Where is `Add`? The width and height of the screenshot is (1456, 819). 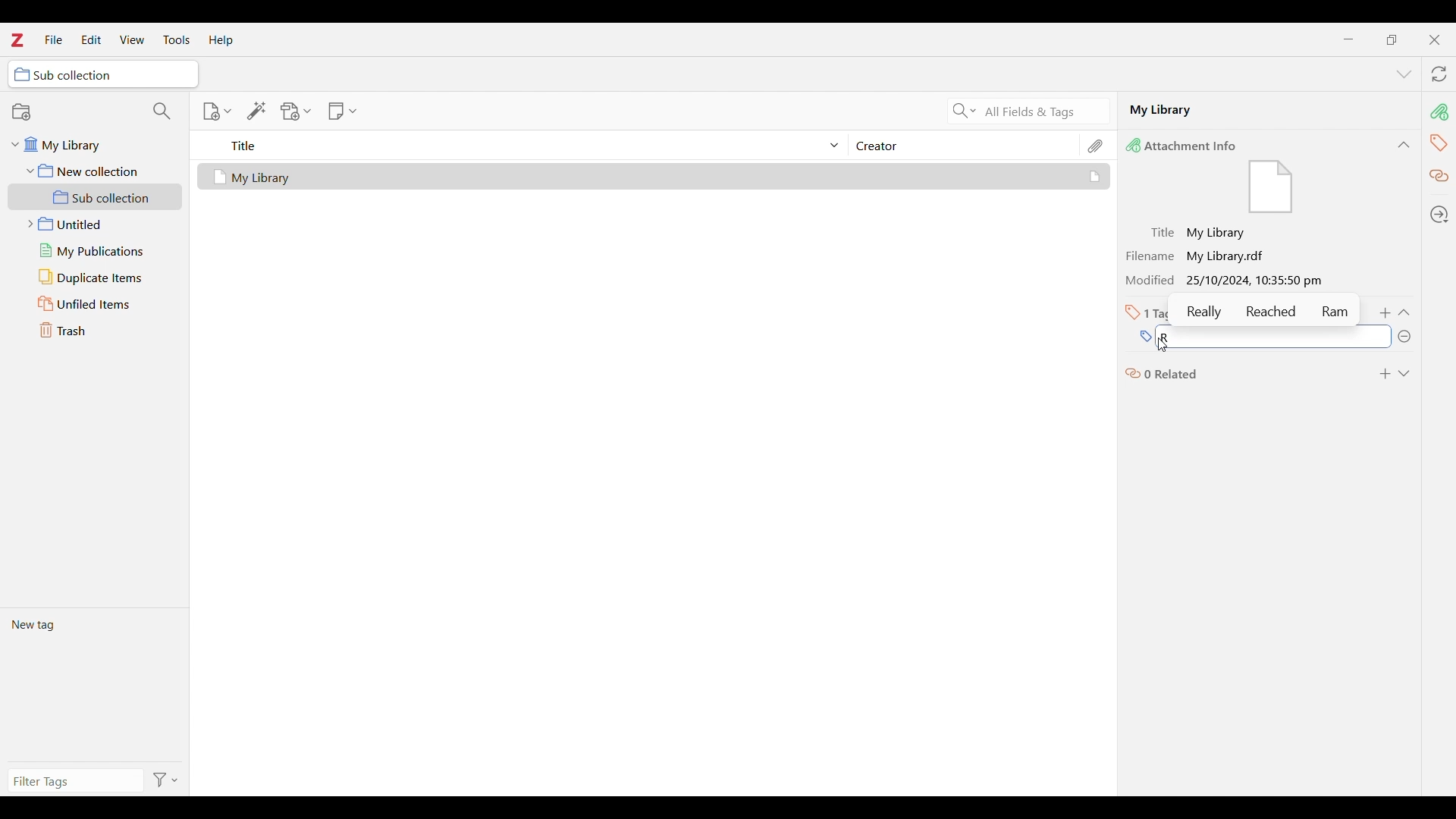
Add is located at coordinates (1385, 374).